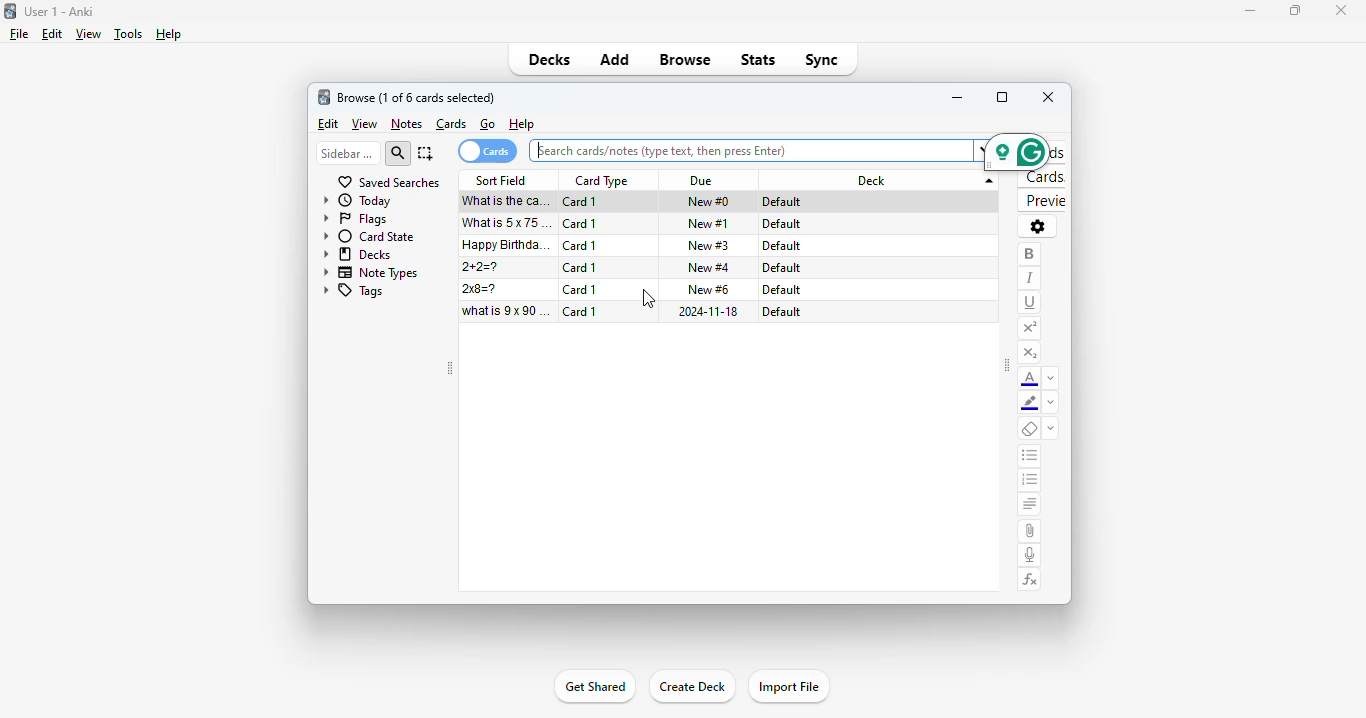 This screenshot has width=1366, height=718. Describe the element at coordinates (450, 369) in the screenshot. I see `toggle sidebar` at that location.